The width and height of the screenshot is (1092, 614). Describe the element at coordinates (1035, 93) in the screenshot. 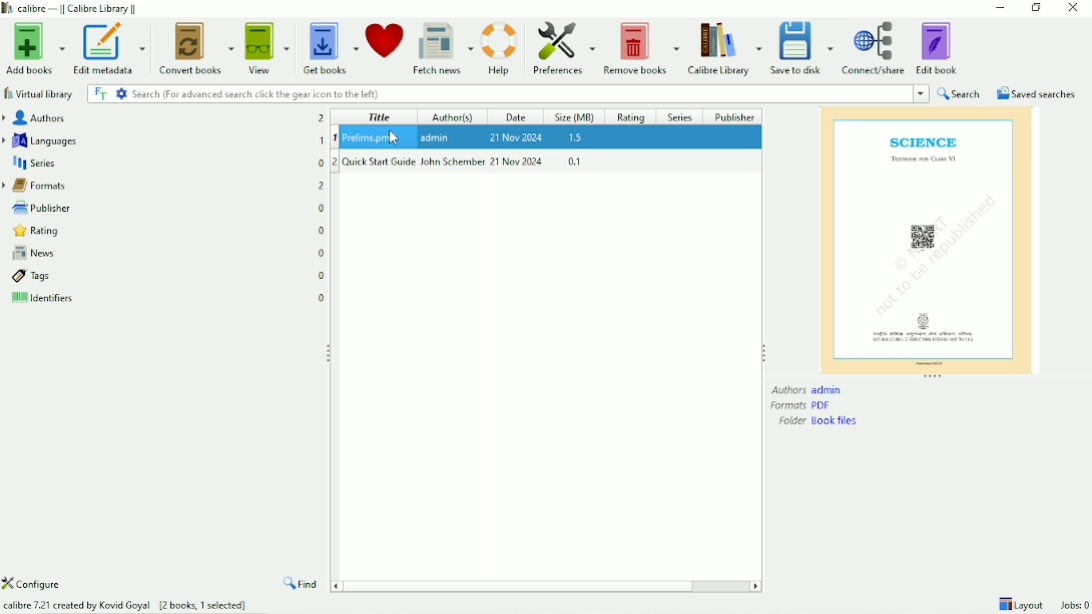

I see `Saved searches` at that location.